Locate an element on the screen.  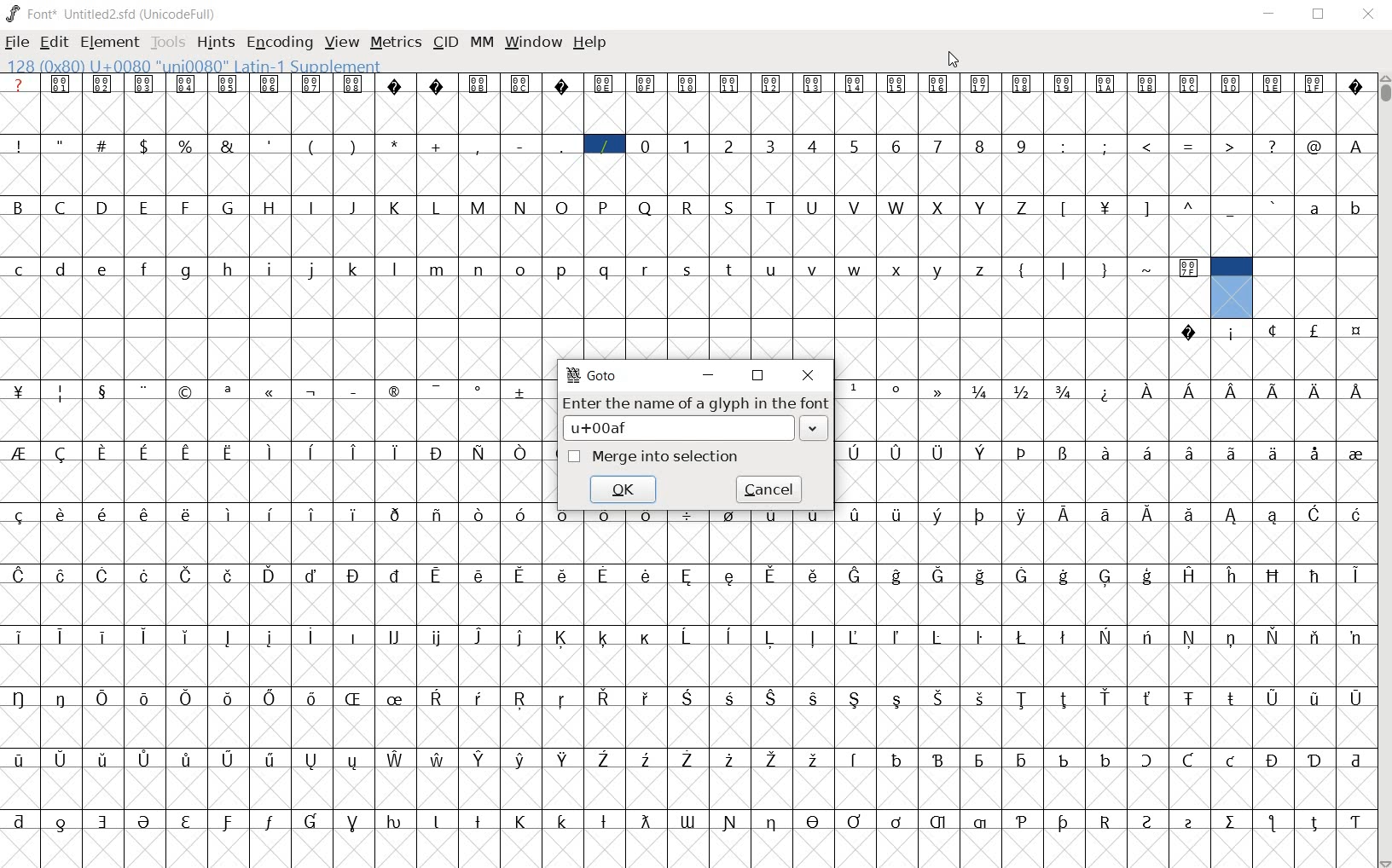
 is located at coordinates (1271, 697).